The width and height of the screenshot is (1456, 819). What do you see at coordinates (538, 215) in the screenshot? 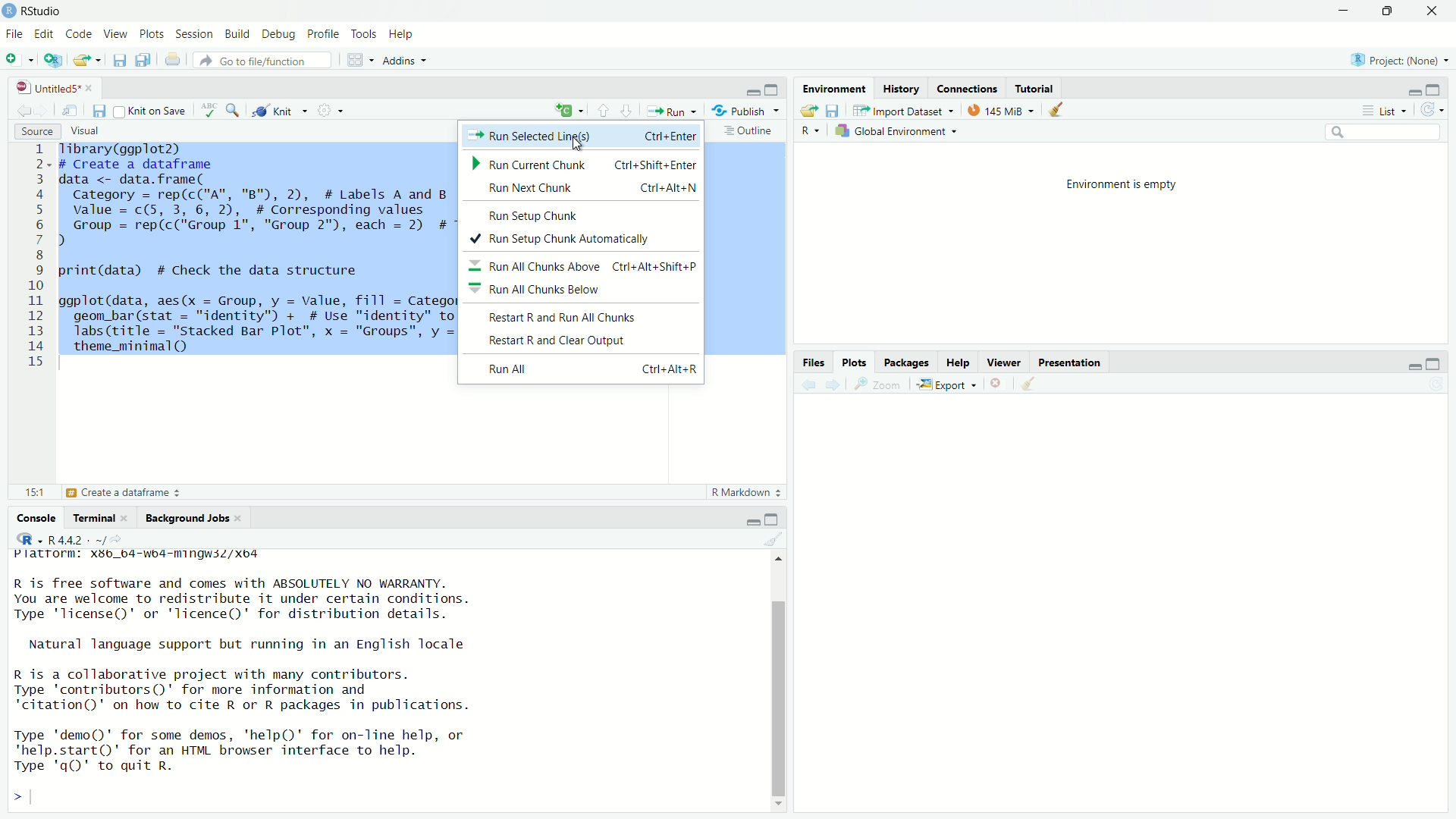
I see `Run Setup Chunk` at bounding box center [538, 215].